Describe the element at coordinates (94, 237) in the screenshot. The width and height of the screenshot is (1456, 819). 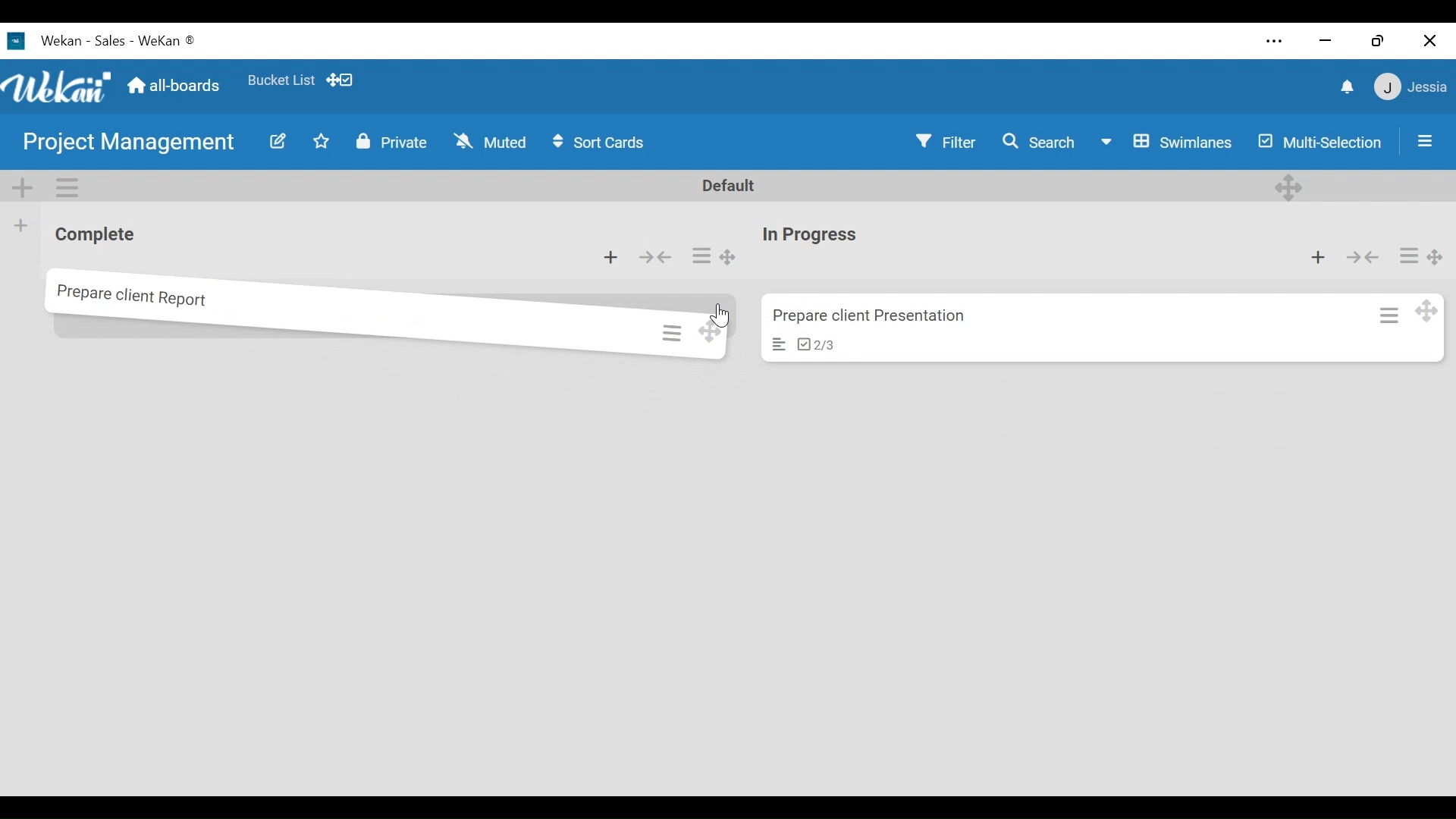
I see `List name` at that location.